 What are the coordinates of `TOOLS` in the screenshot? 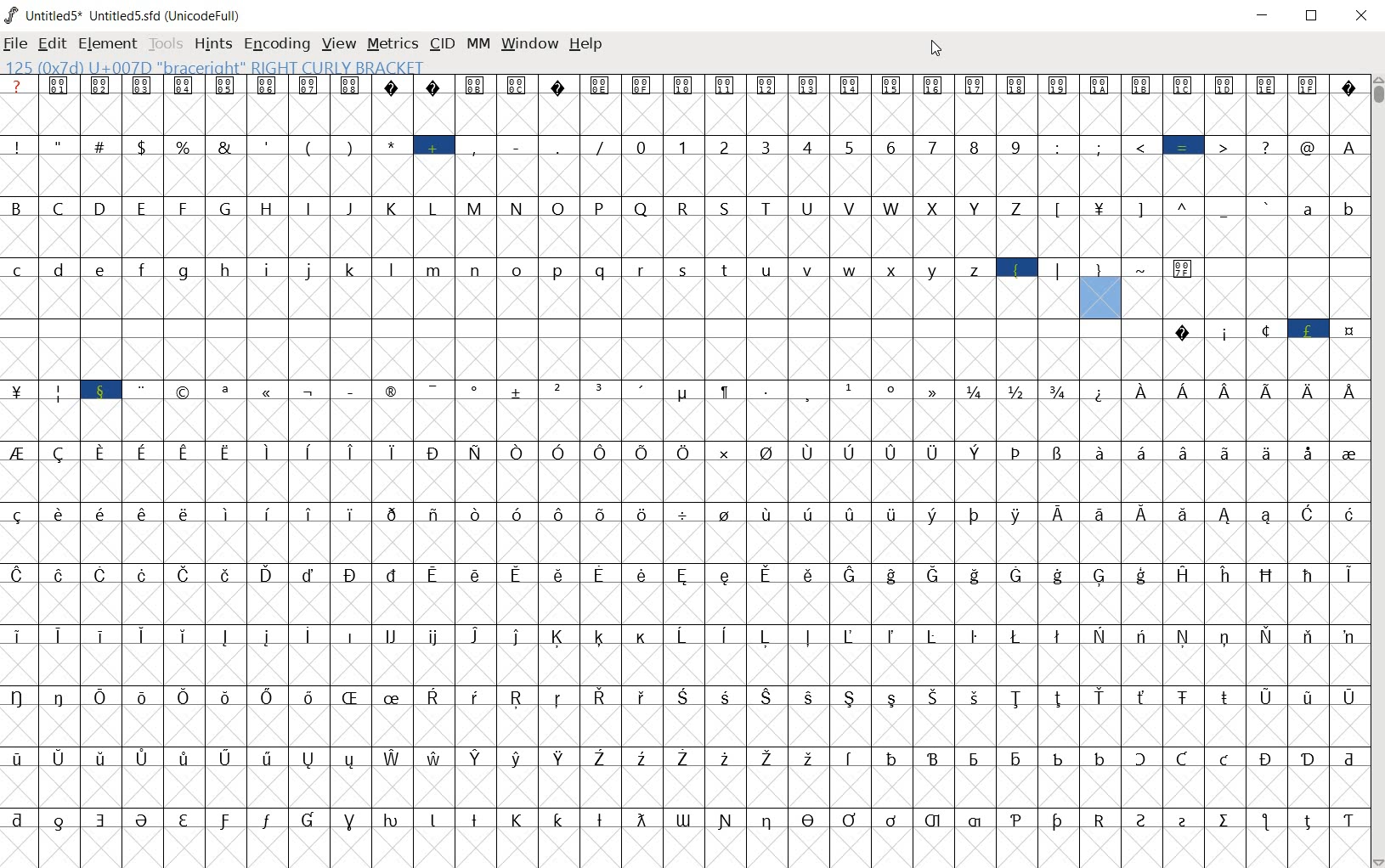 It's located at (164, 45).